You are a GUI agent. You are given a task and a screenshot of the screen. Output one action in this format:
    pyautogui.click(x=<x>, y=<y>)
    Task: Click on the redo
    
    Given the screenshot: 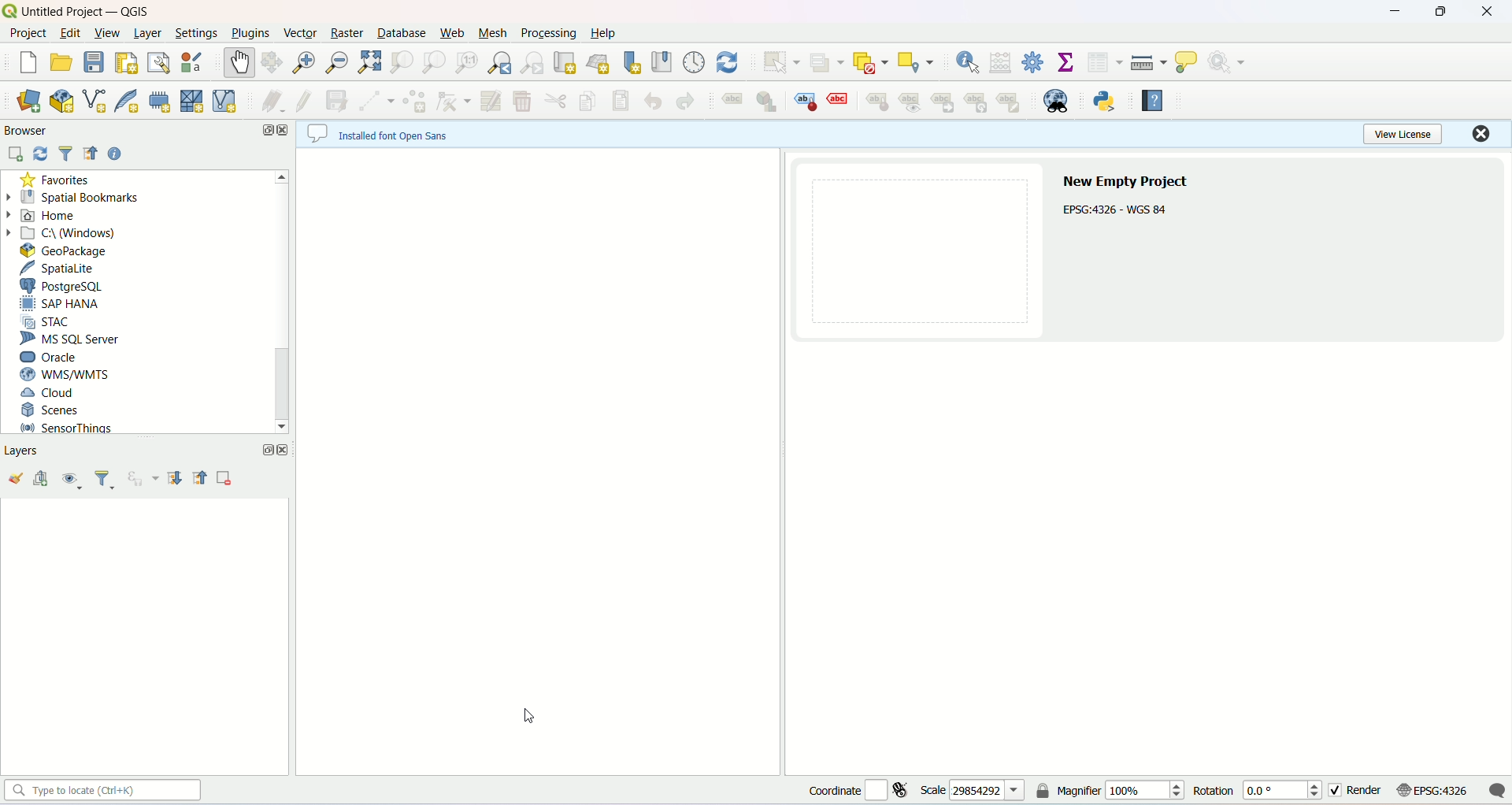 What is the action you would take?
    pyautogui.click(x=682, y=100)
    